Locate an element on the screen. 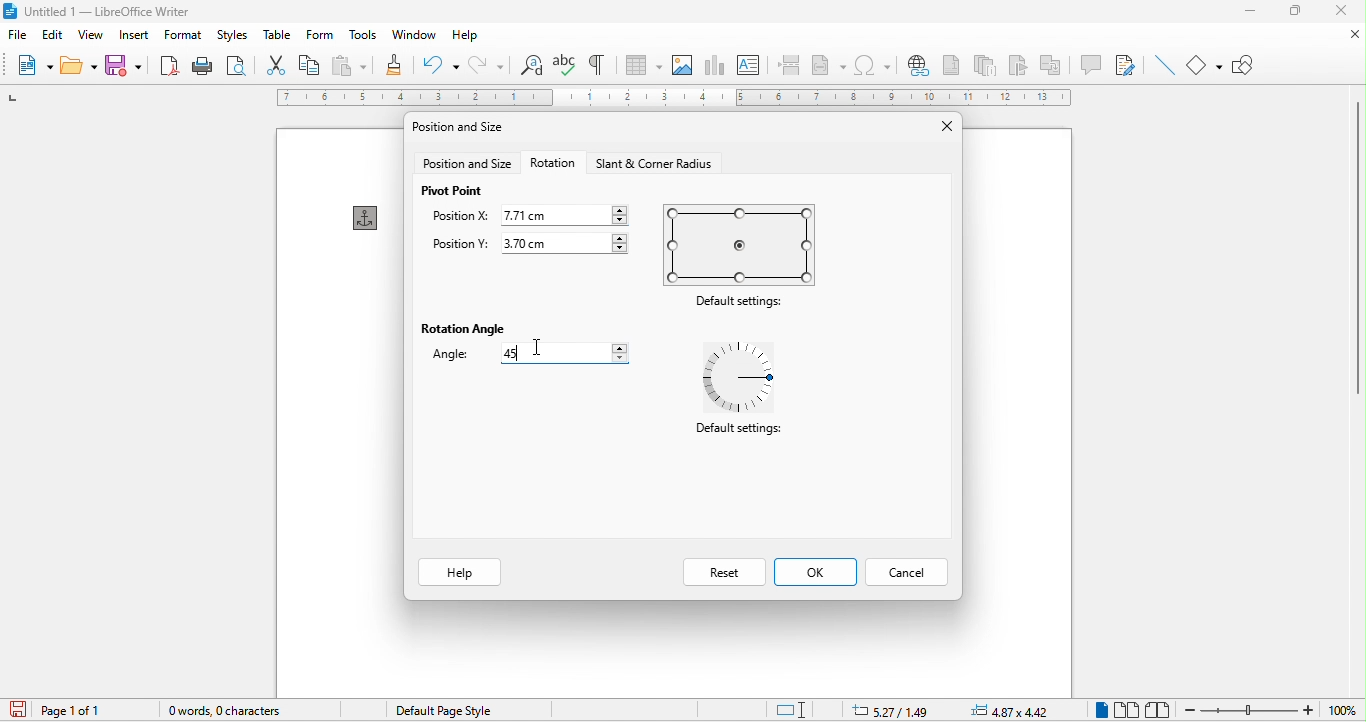  redo is located at coordinates (490, 67).